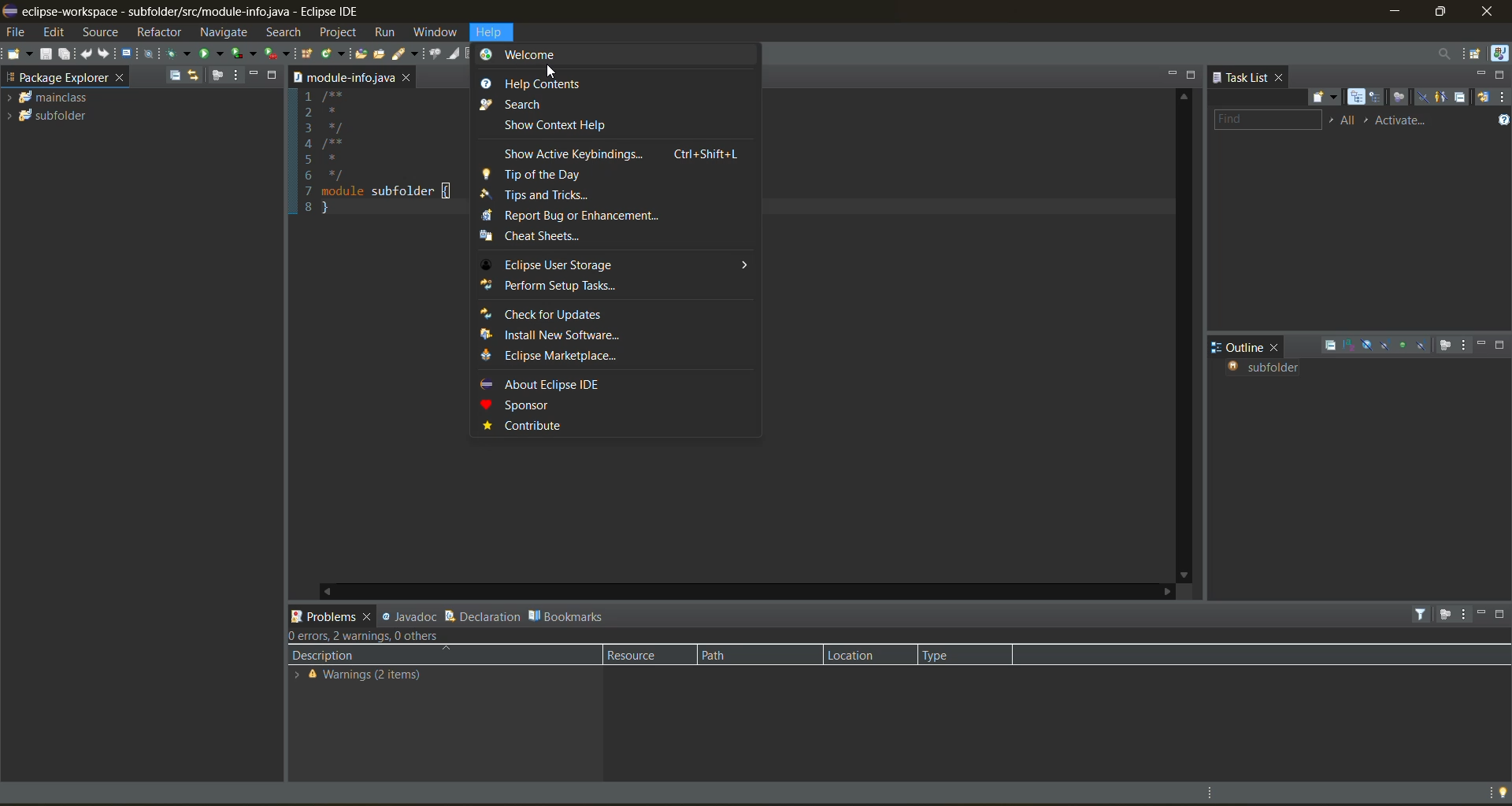 The height and width of the screenshot is (806, 1512). I want to click on coverage, so click(244, 53).